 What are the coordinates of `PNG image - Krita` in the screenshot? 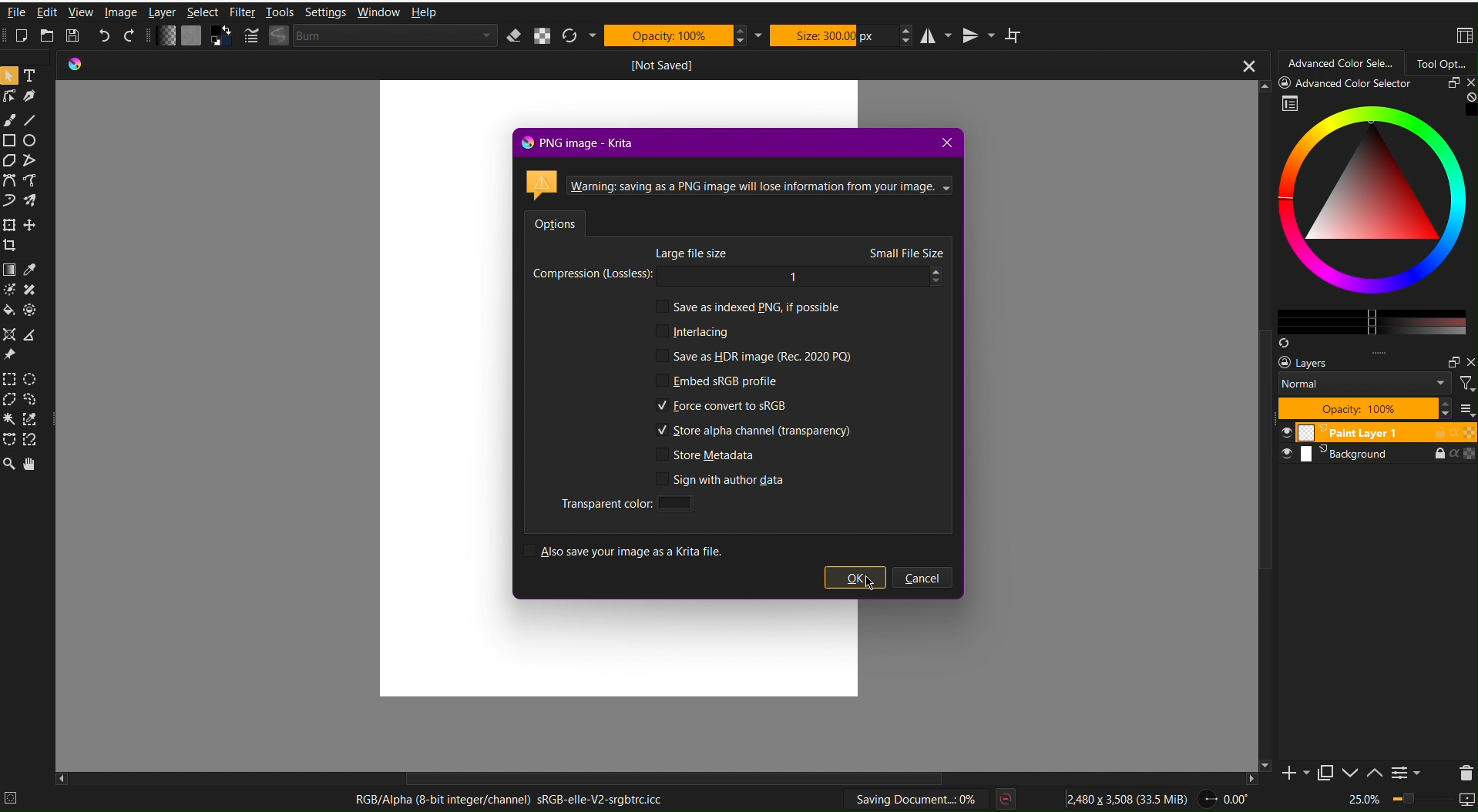 It's located at (572, 142).